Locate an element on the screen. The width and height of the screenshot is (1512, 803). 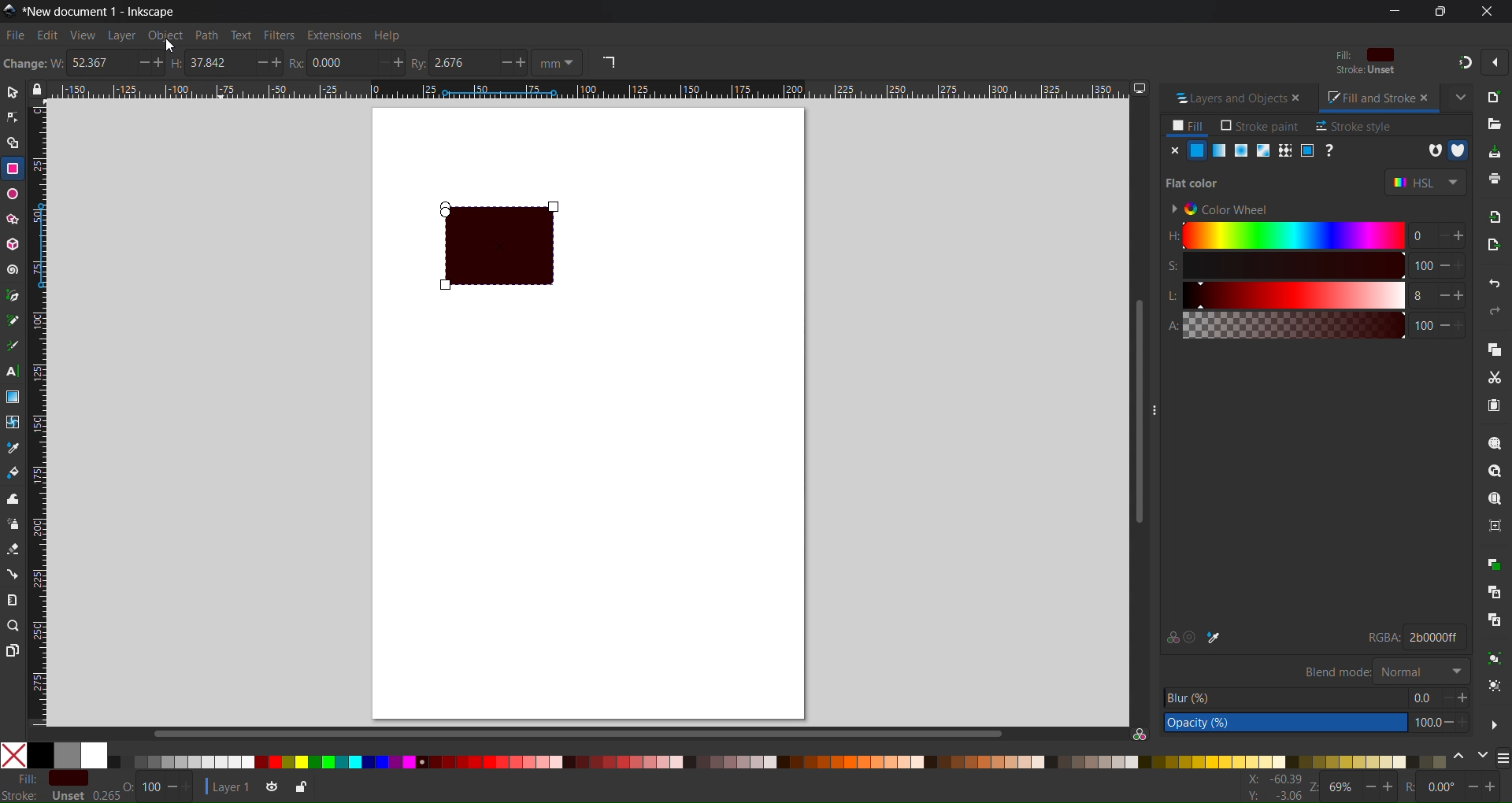
Minimize opacity is located at coordinates (172, 787).